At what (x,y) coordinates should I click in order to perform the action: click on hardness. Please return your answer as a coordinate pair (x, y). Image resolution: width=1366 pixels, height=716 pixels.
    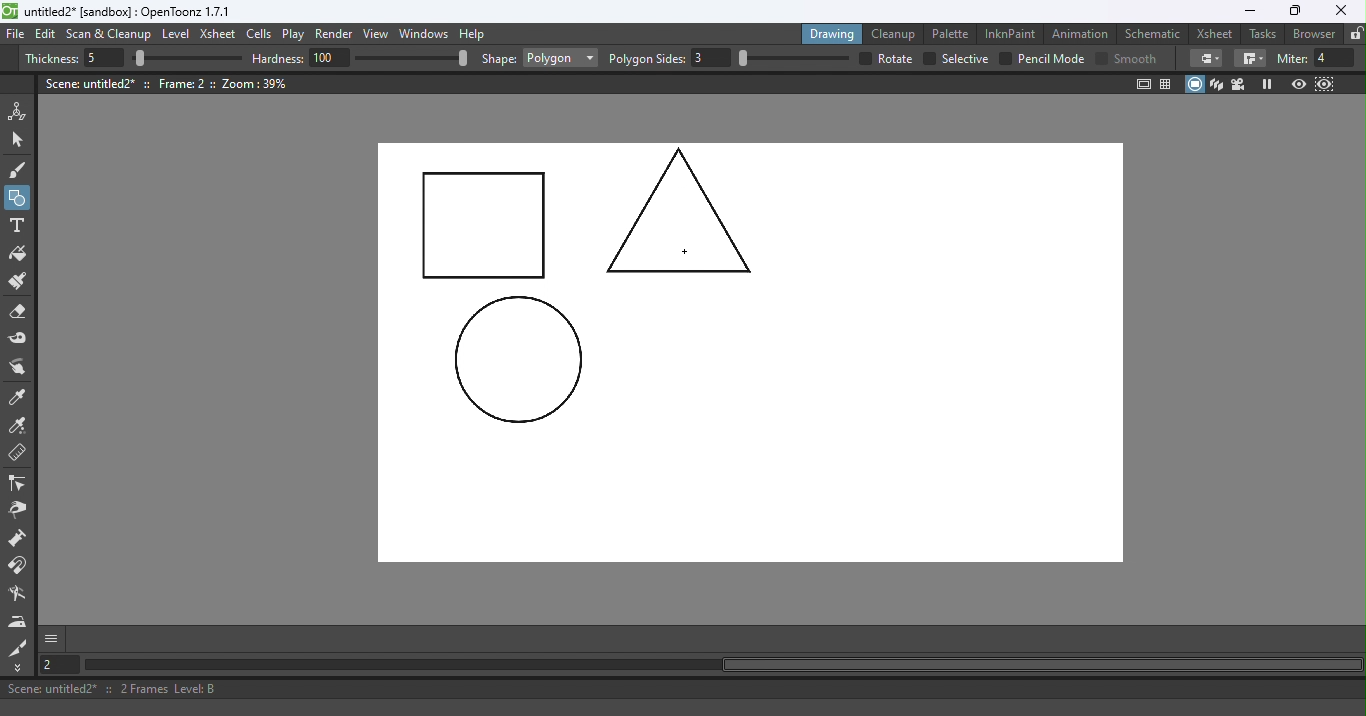
    Looking at the image, I should click on (280, 58).